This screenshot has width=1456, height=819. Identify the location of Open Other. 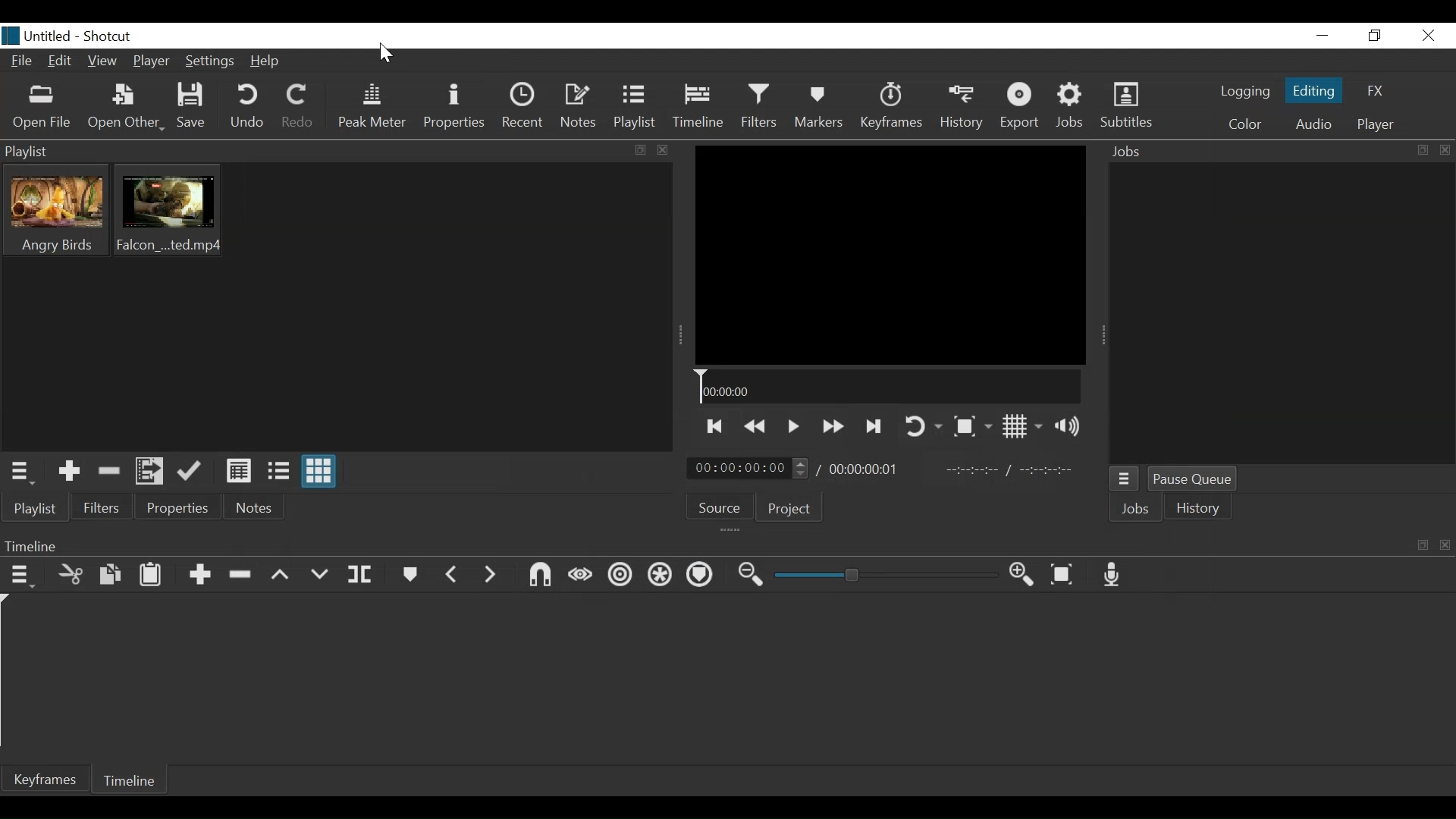
(125, 108).